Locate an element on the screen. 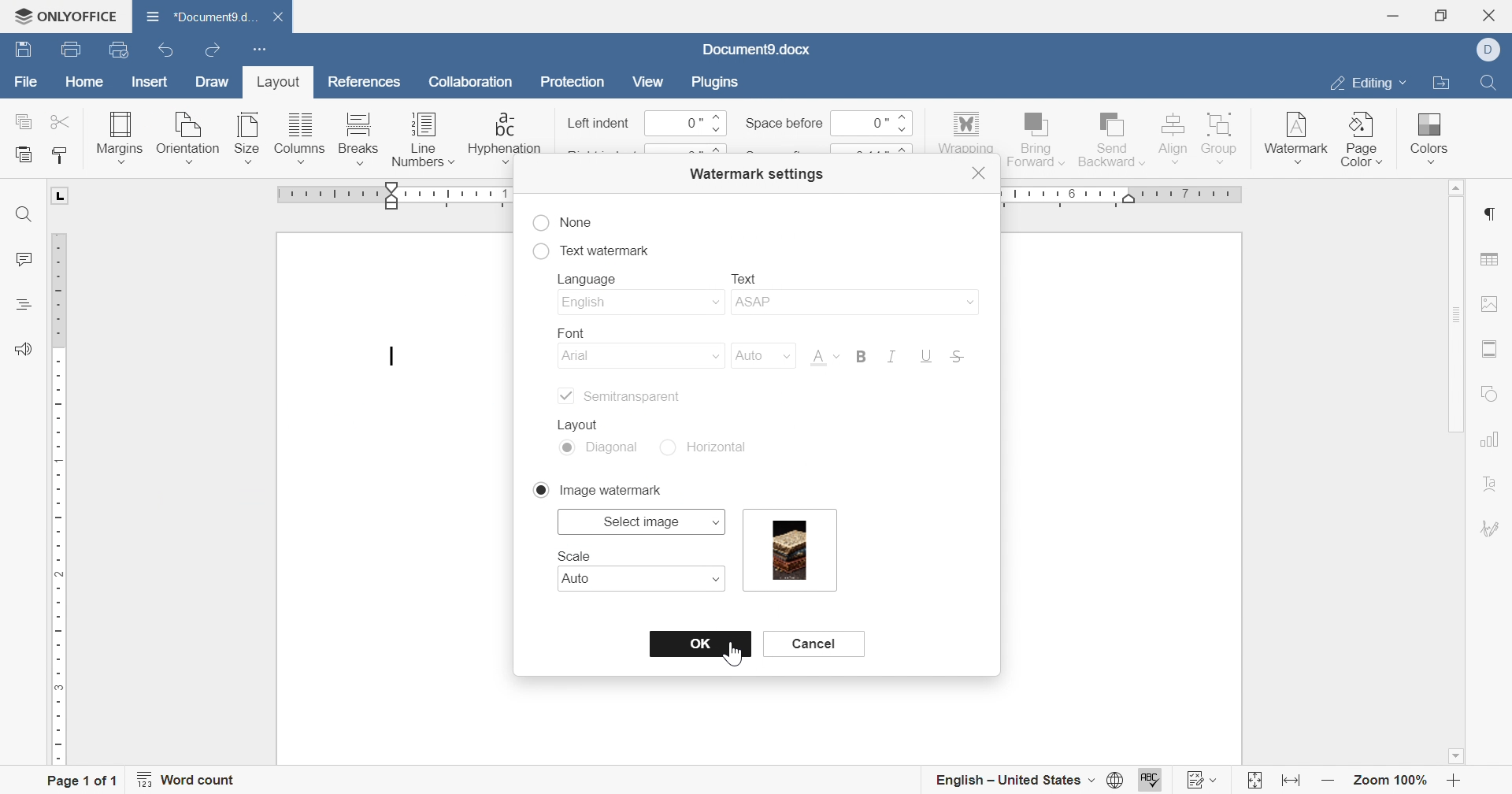 This screenshot has width=1512, height=794. language is located at coordinates (591, 280).